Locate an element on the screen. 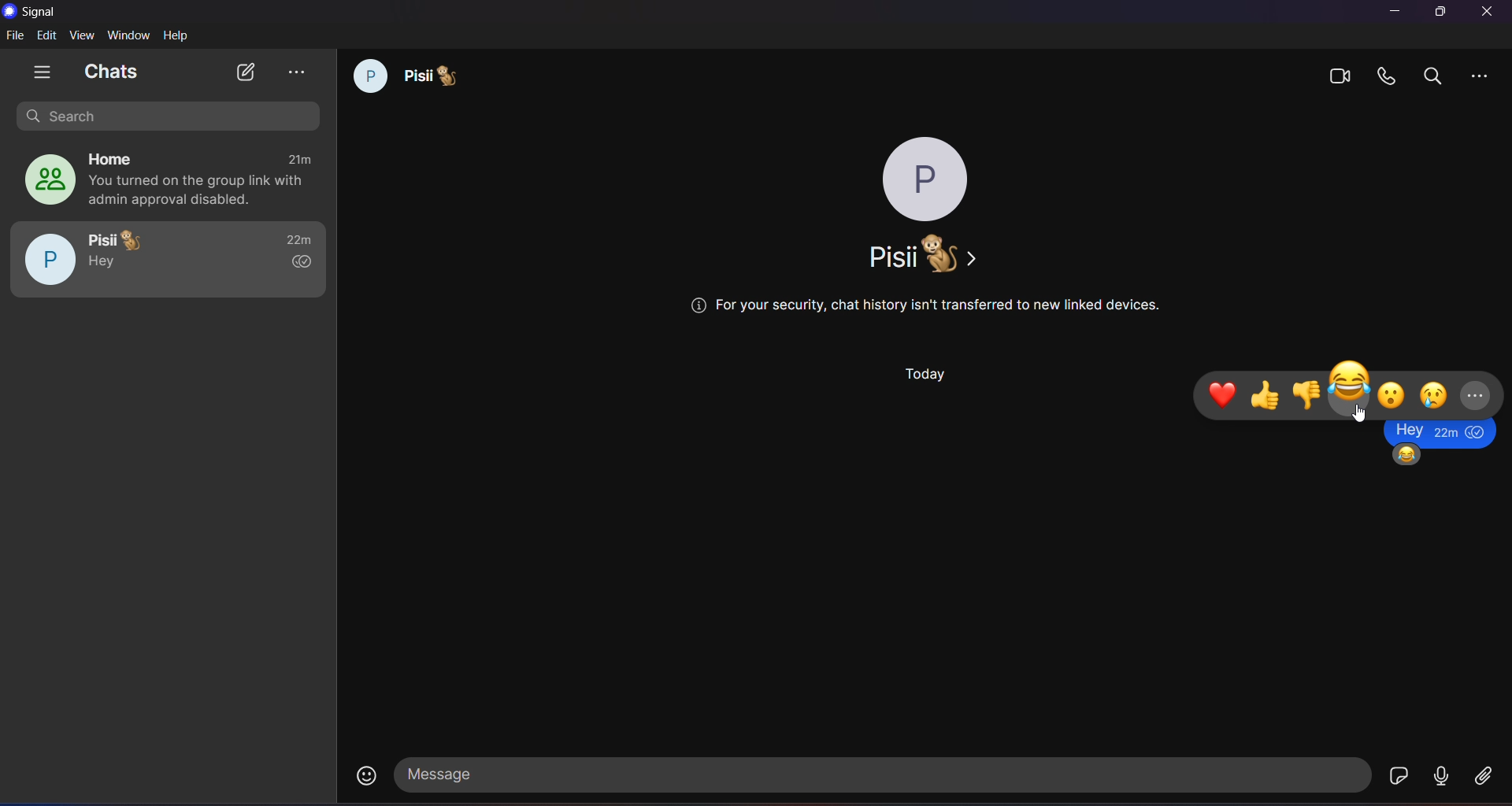 The image size is (1512, 806). chats is located at coordinates (113, 71).